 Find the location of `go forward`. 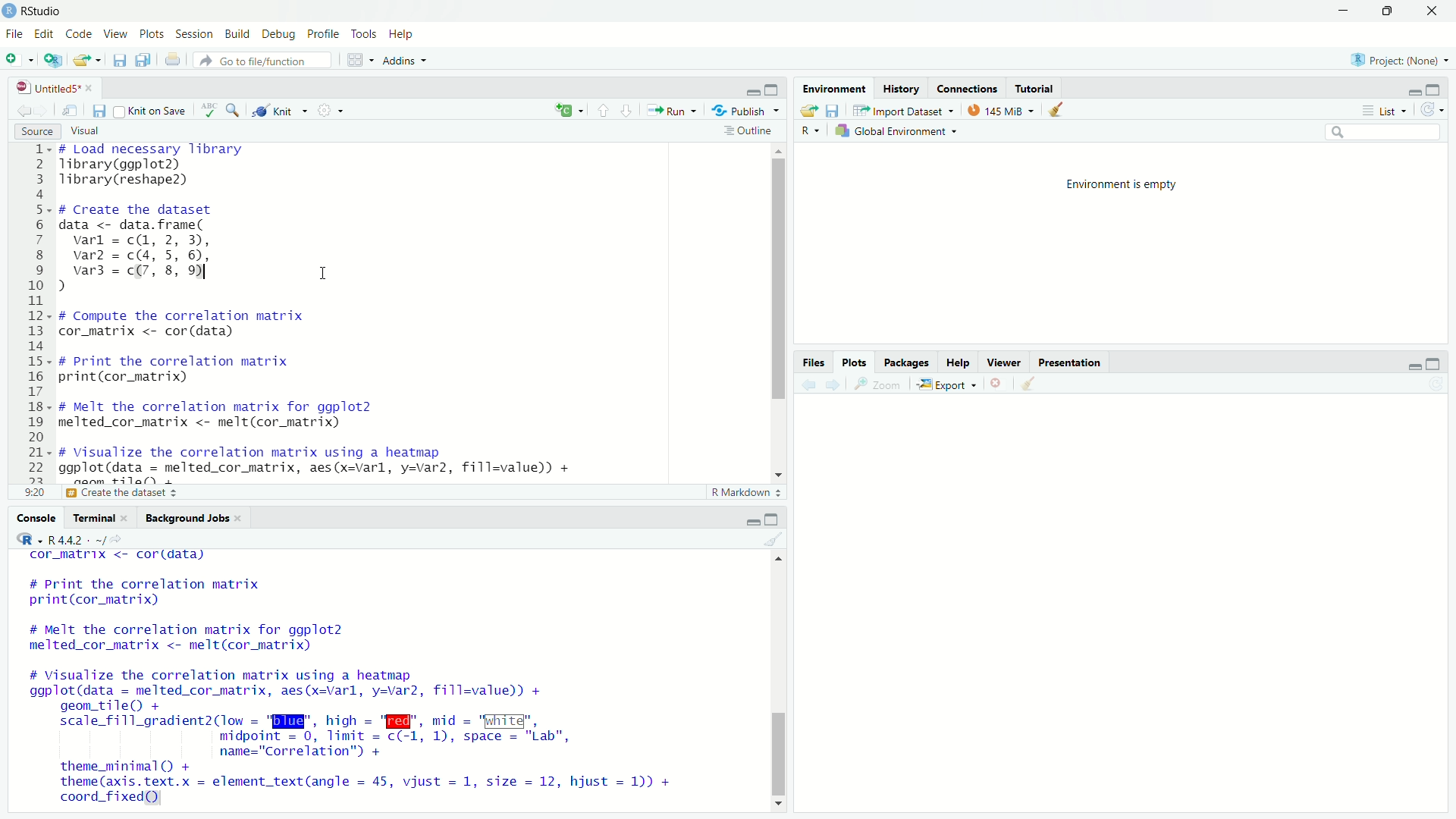

go forward is located at coordinates (45, 110).